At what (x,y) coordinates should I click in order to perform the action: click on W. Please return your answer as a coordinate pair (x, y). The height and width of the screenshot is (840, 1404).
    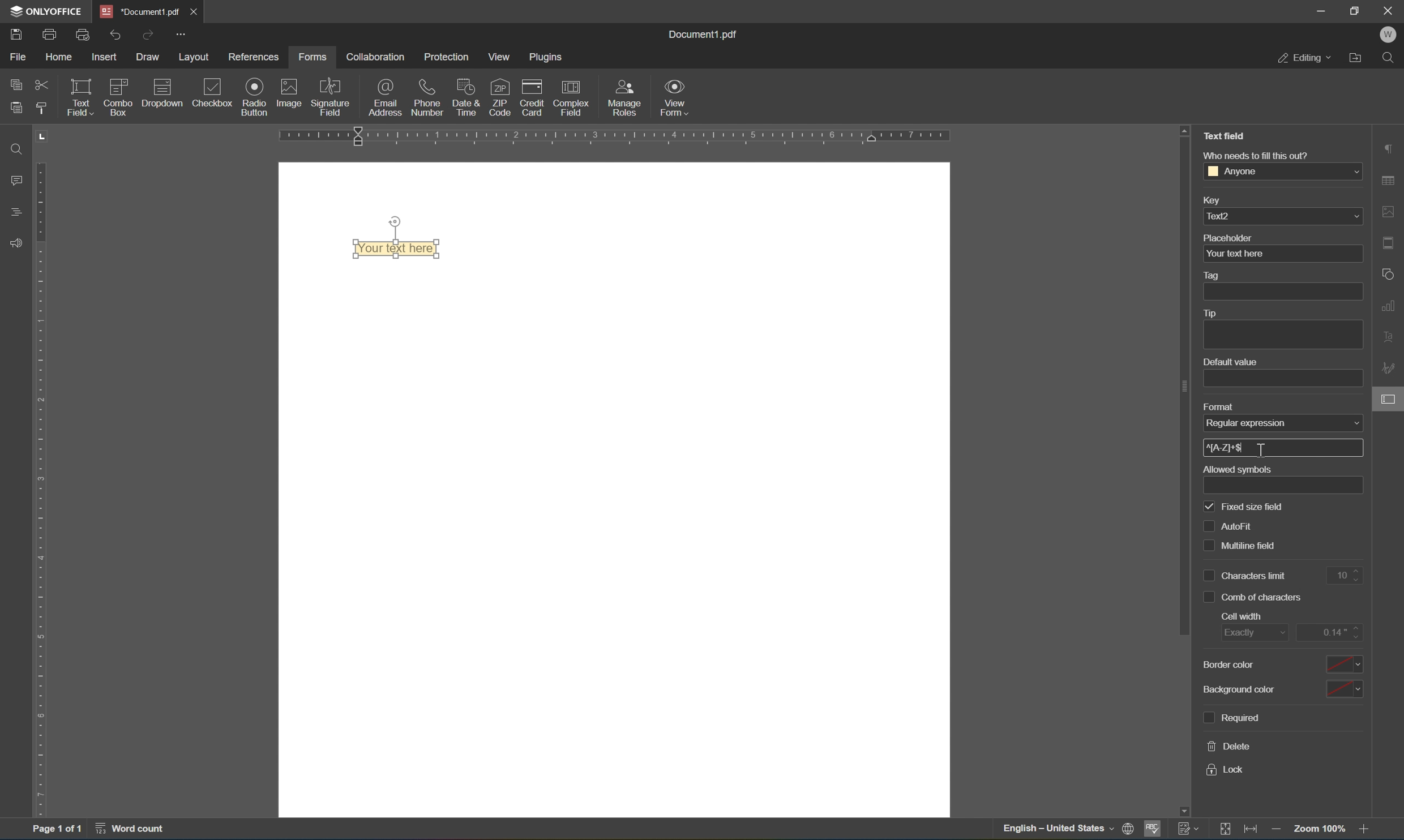
    Looking at the image, I should click on (1390, 34).